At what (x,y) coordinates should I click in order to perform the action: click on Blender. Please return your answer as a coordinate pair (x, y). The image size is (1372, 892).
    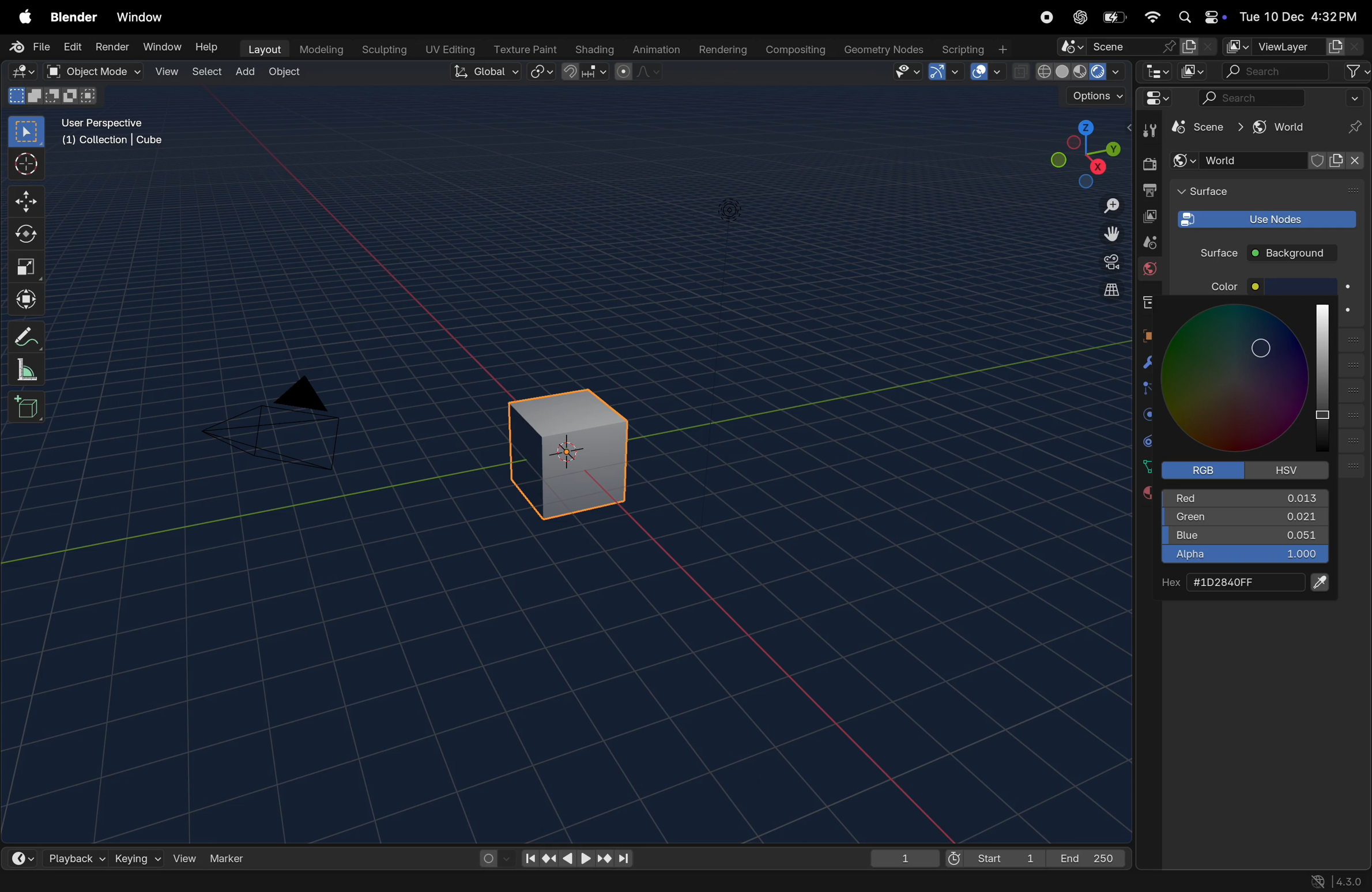
    Looking at the image, I should click on (73, 16).